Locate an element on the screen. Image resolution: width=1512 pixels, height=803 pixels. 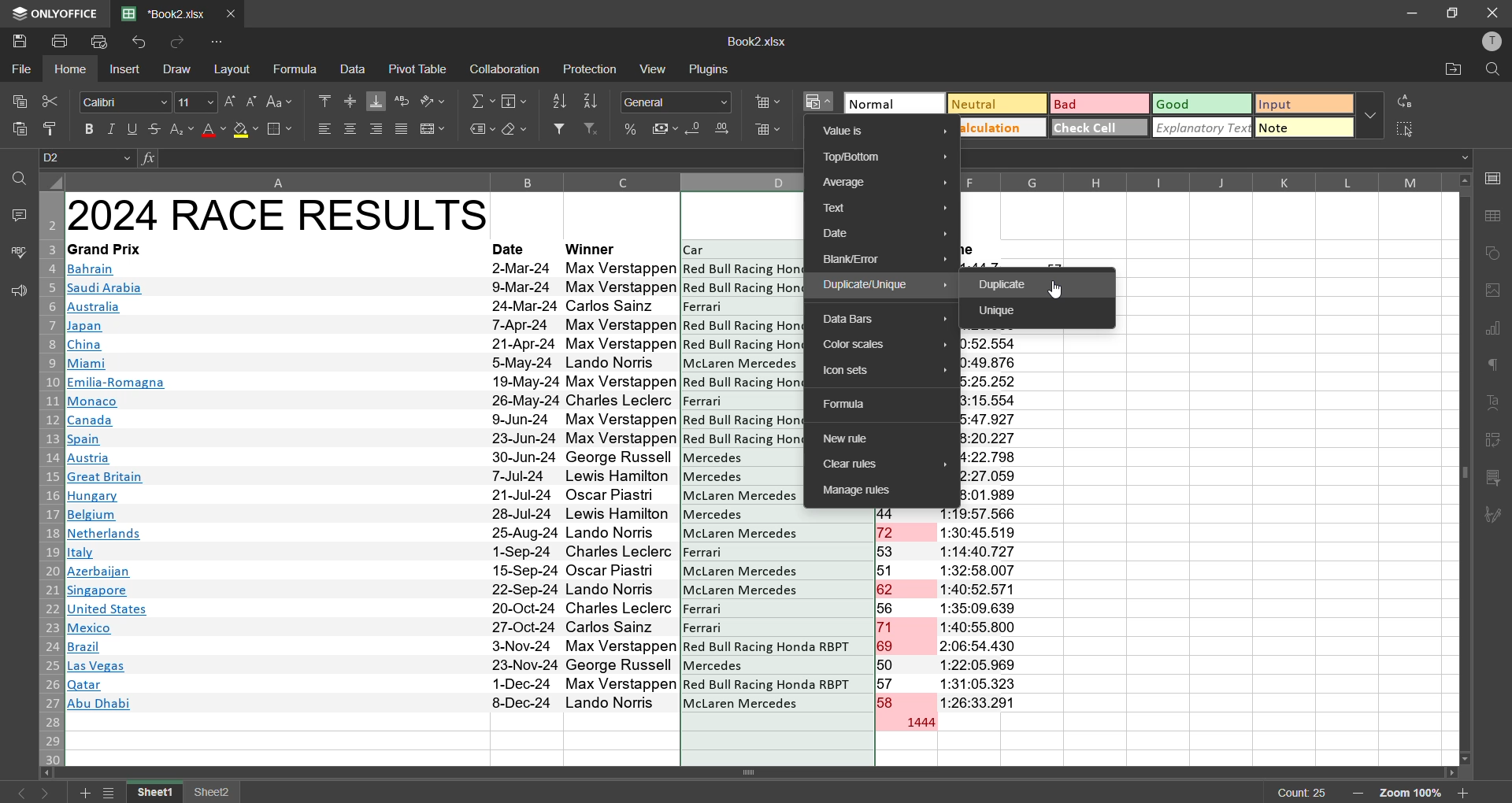
file is located at coordinates (22, 67).